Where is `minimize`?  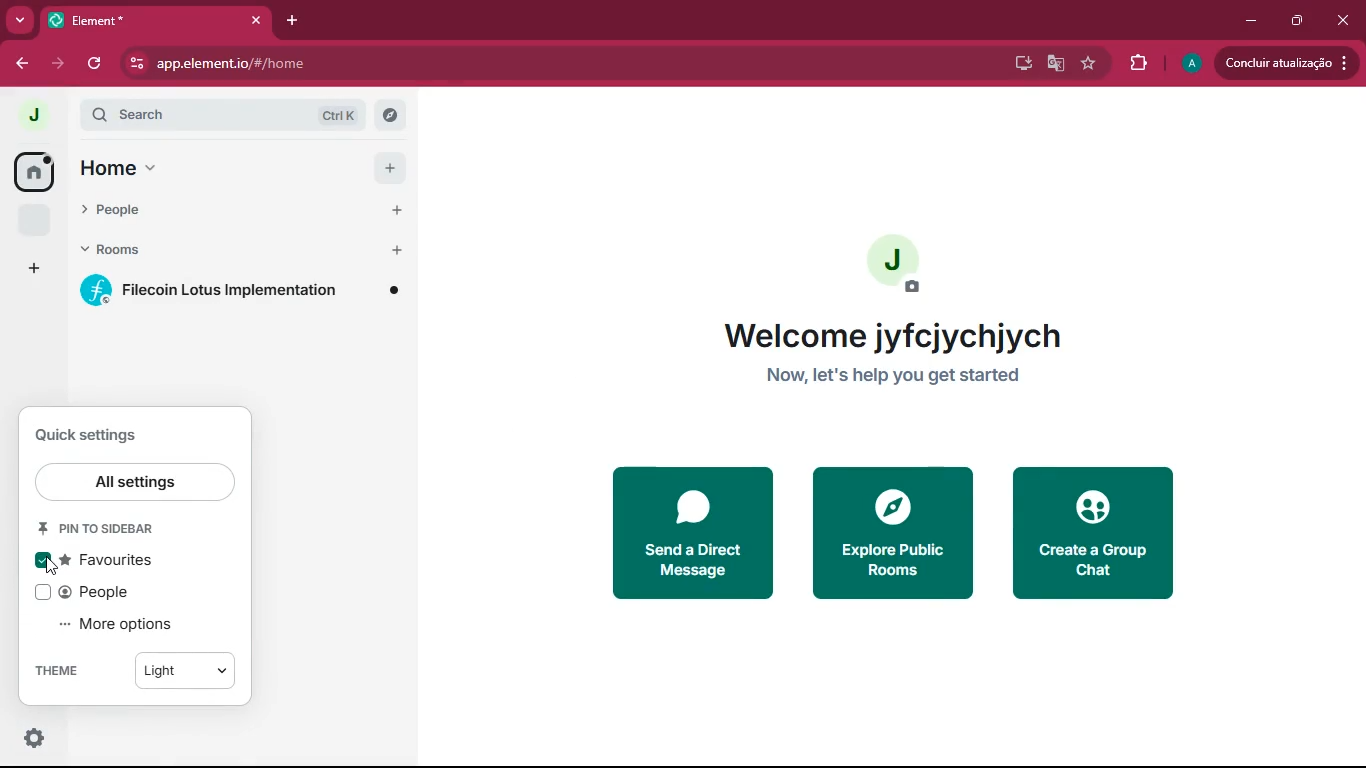 minimize is located at coordinates (1252, 22).